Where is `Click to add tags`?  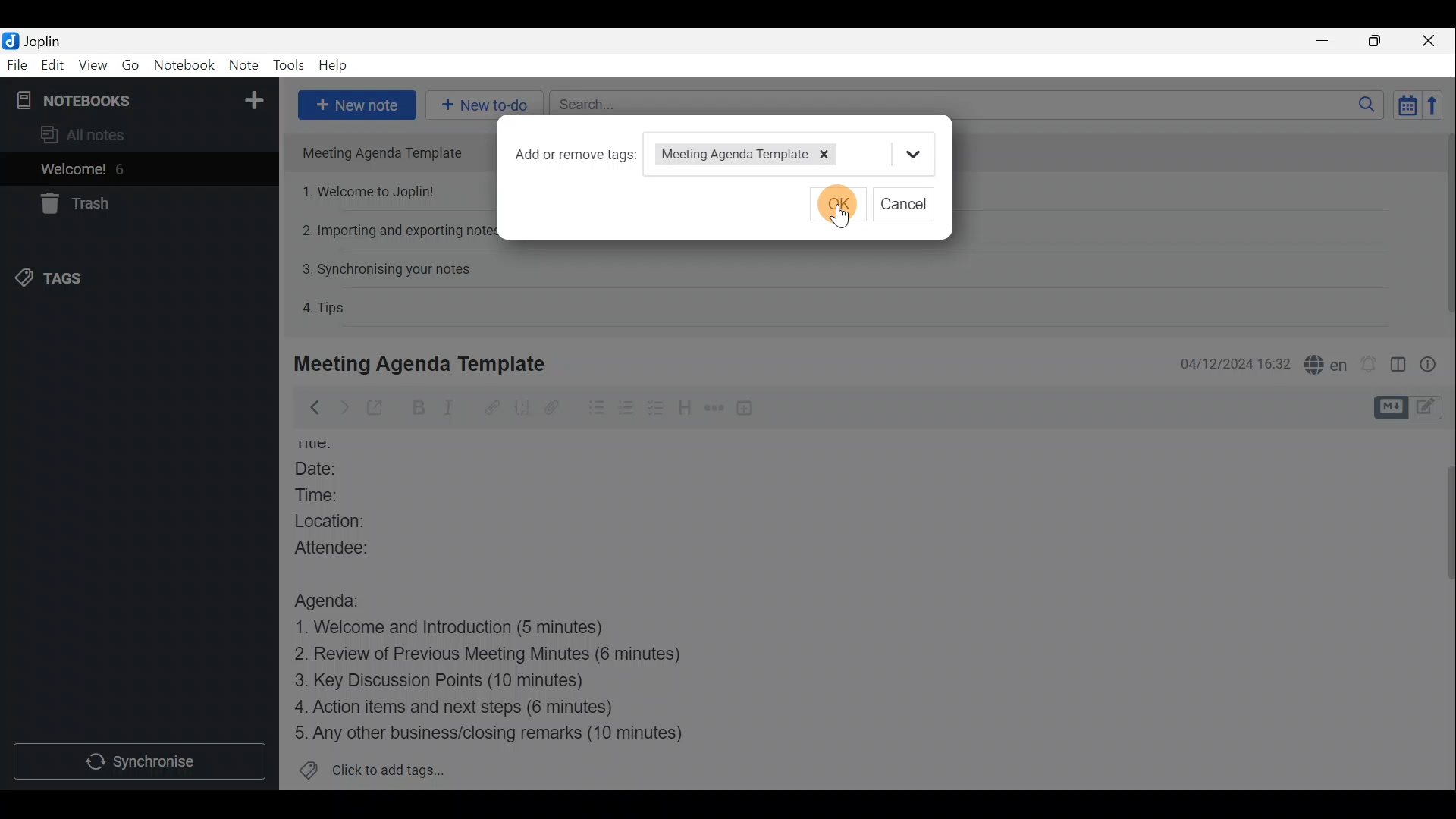
Click to add tags is located at coordinates (393, 767).